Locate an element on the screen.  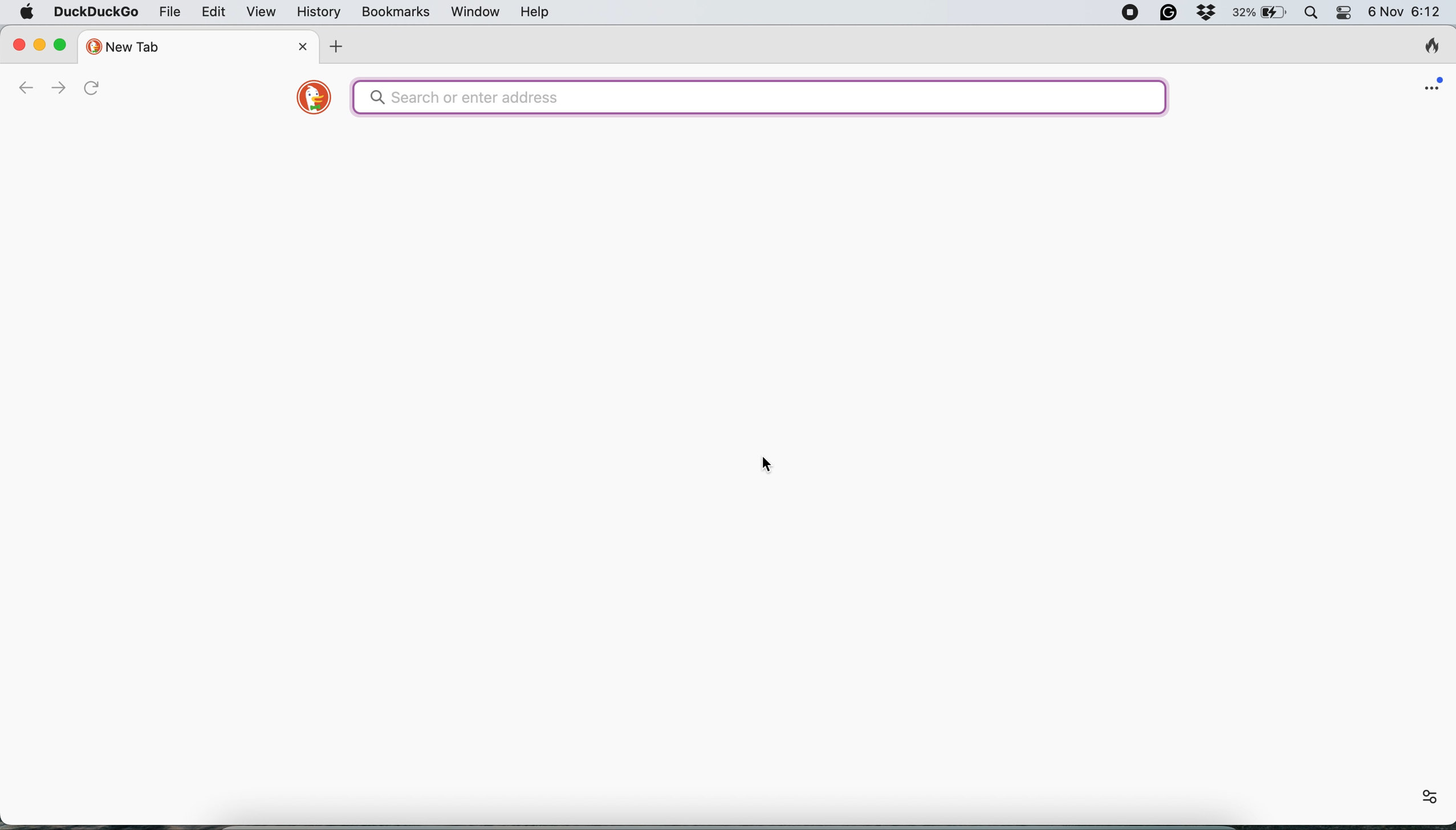
6 Nov 6:12 is located at coordinates (1404, 14).